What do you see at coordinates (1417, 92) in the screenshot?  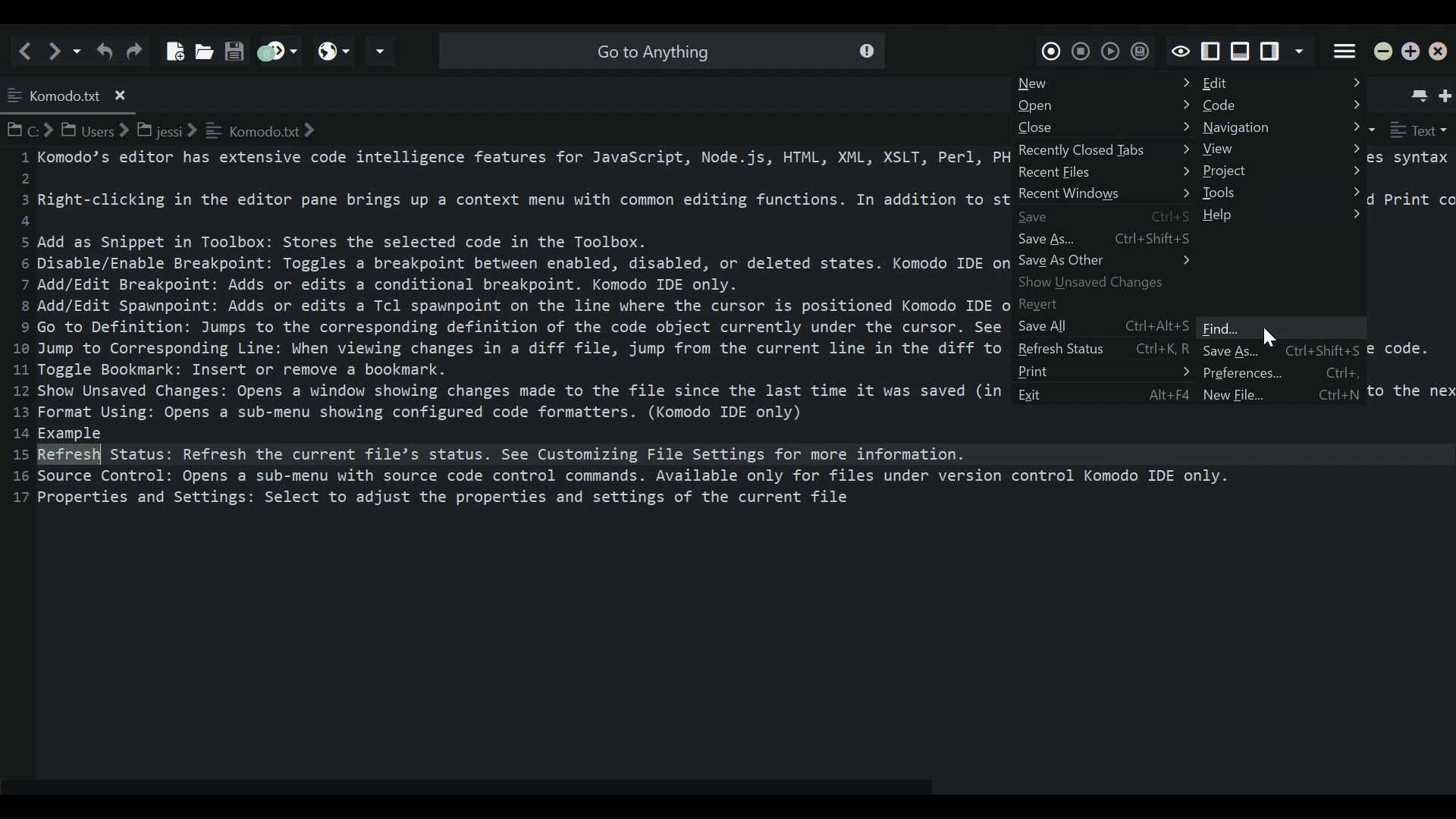 I see `List all tabs` at bounding box center [1417, 92].